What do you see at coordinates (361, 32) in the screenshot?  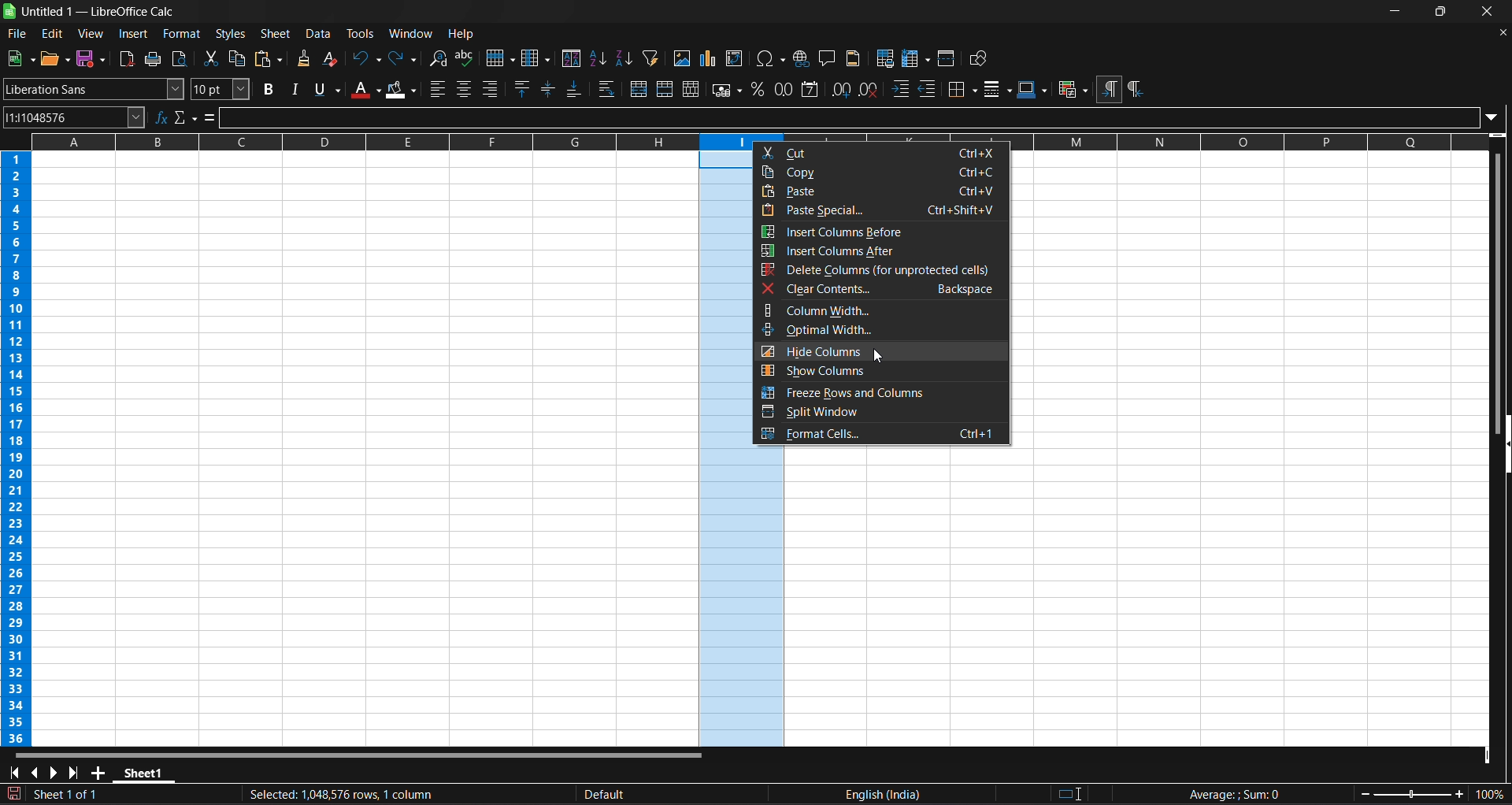 I see `tools` at bounding box center [361, 32].